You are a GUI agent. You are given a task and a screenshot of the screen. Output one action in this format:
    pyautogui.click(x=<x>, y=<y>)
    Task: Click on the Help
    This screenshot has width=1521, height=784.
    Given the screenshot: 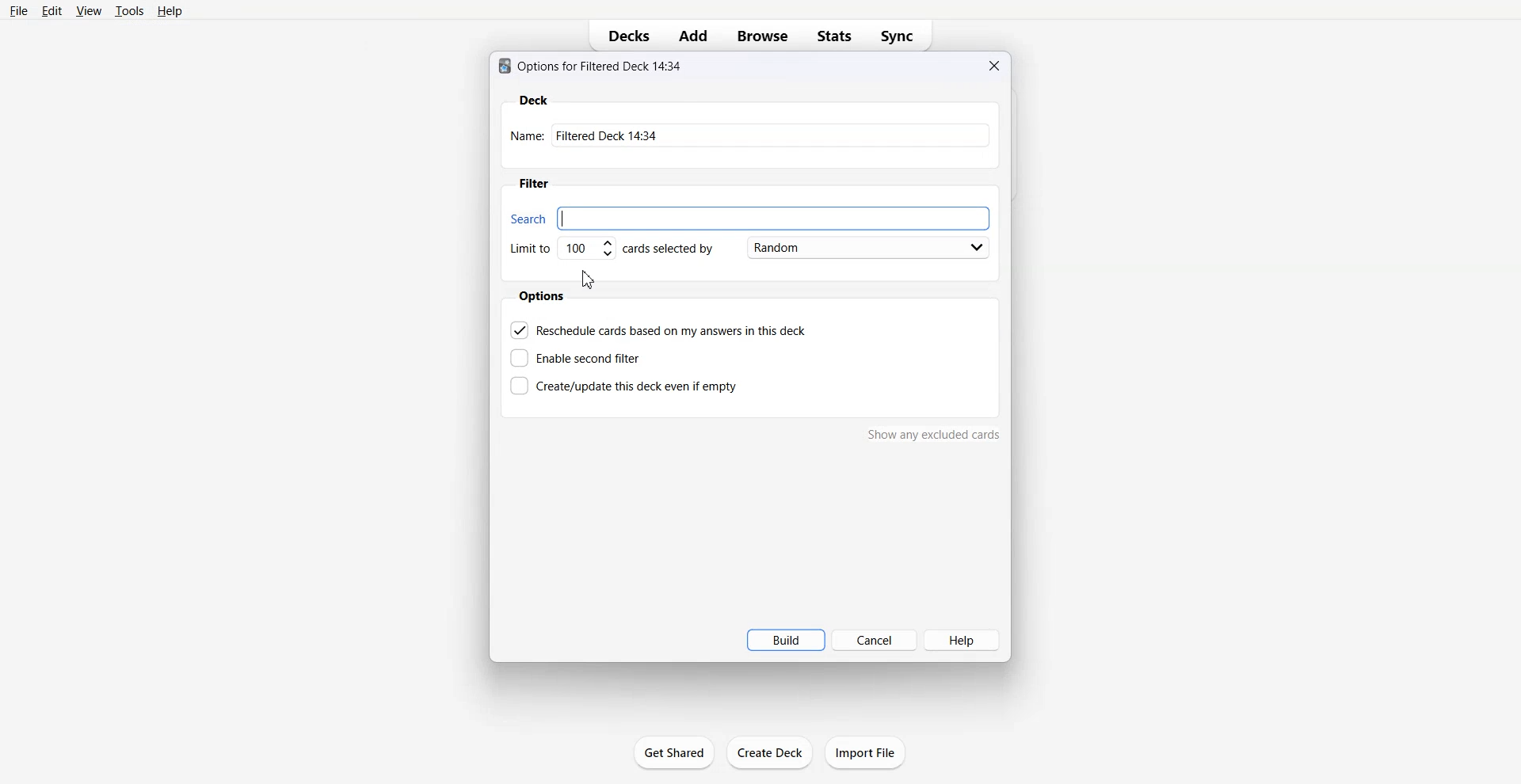 What is the action you would take?
    pyautogui.click(x=965, y=639)
    